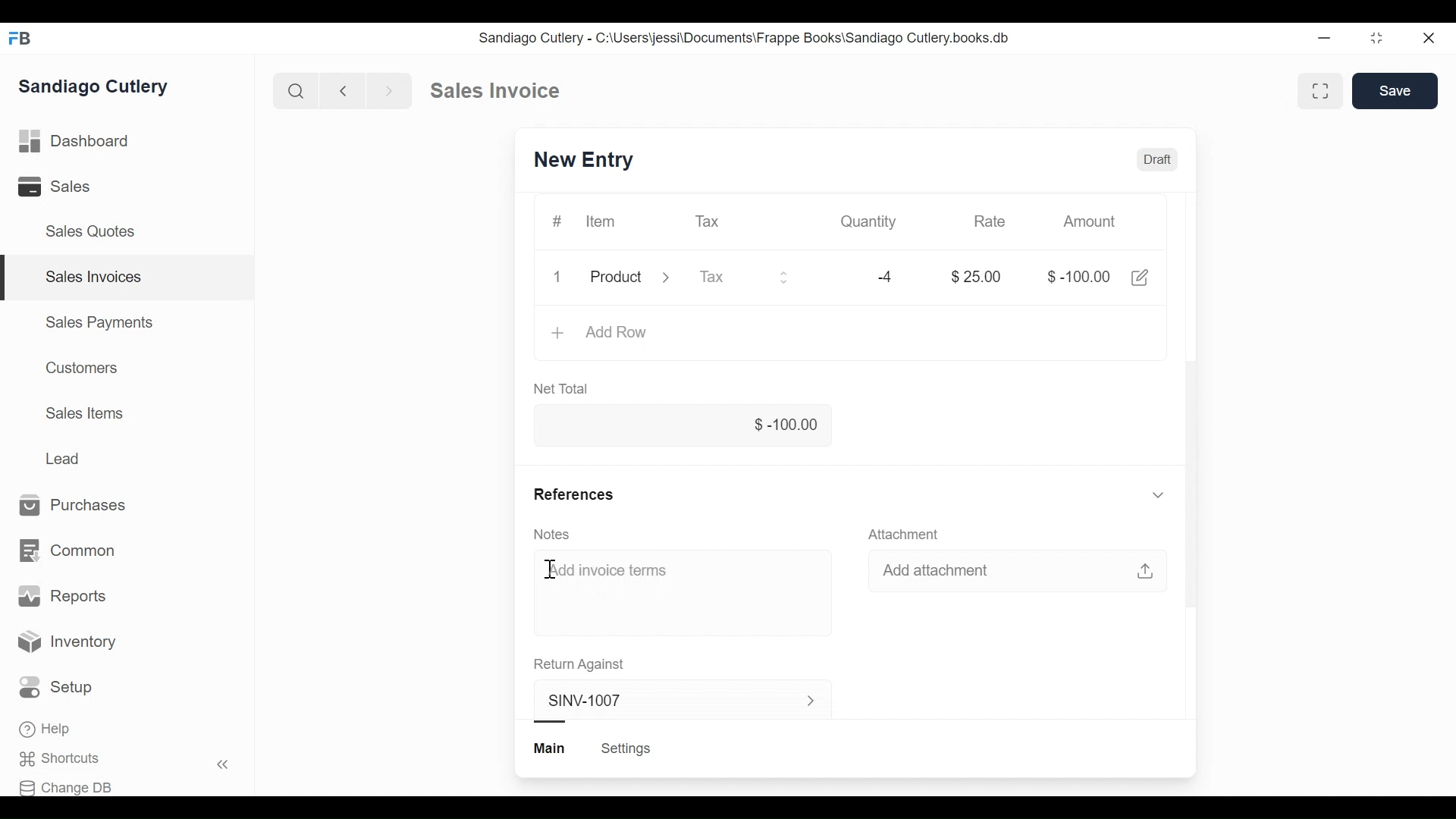 Image resolution: width=1456 pixels, height=819 pixels. What do you see at coordinates (626, 748) in the screenshot?
I see `Settings` at bounding box center [626, 748].